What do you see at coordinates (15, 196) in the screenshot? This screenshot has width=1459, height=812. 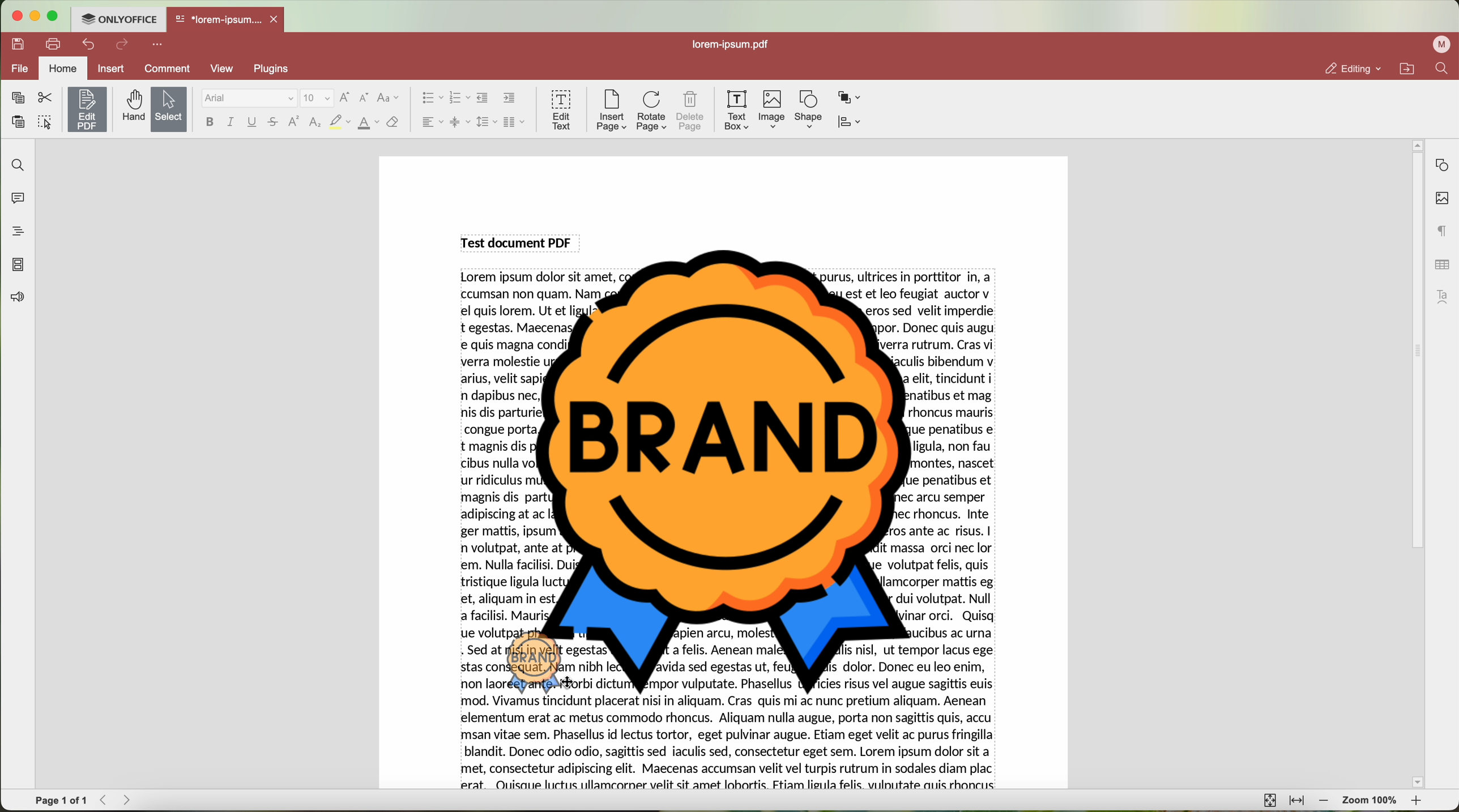 I see `comments` at bounding box center [15, 196].